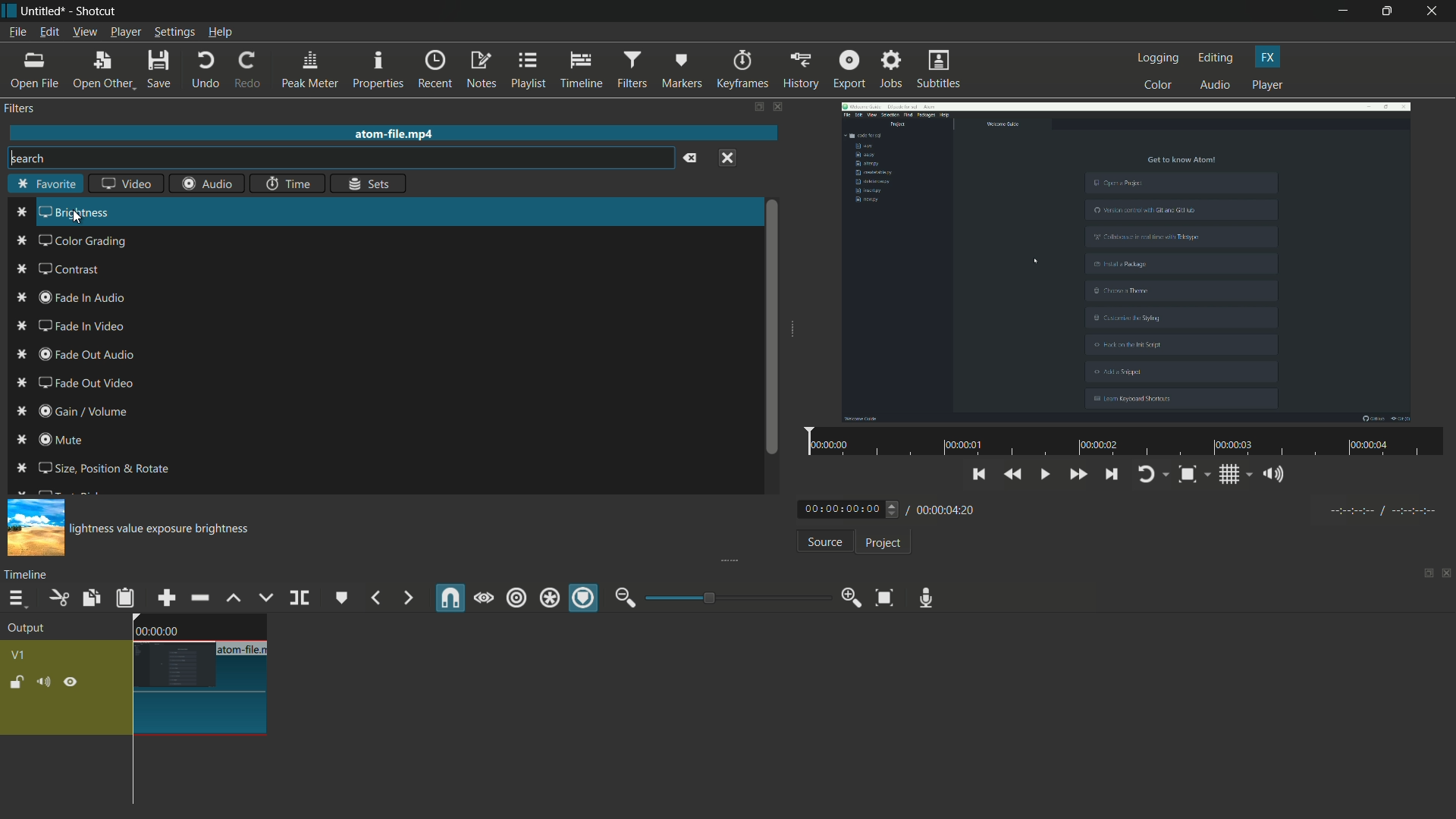 The height and width of the screenshot is (819, 1456). Describe the element at coordinates (161, 71) in the screenshot. I see `save` at that location.